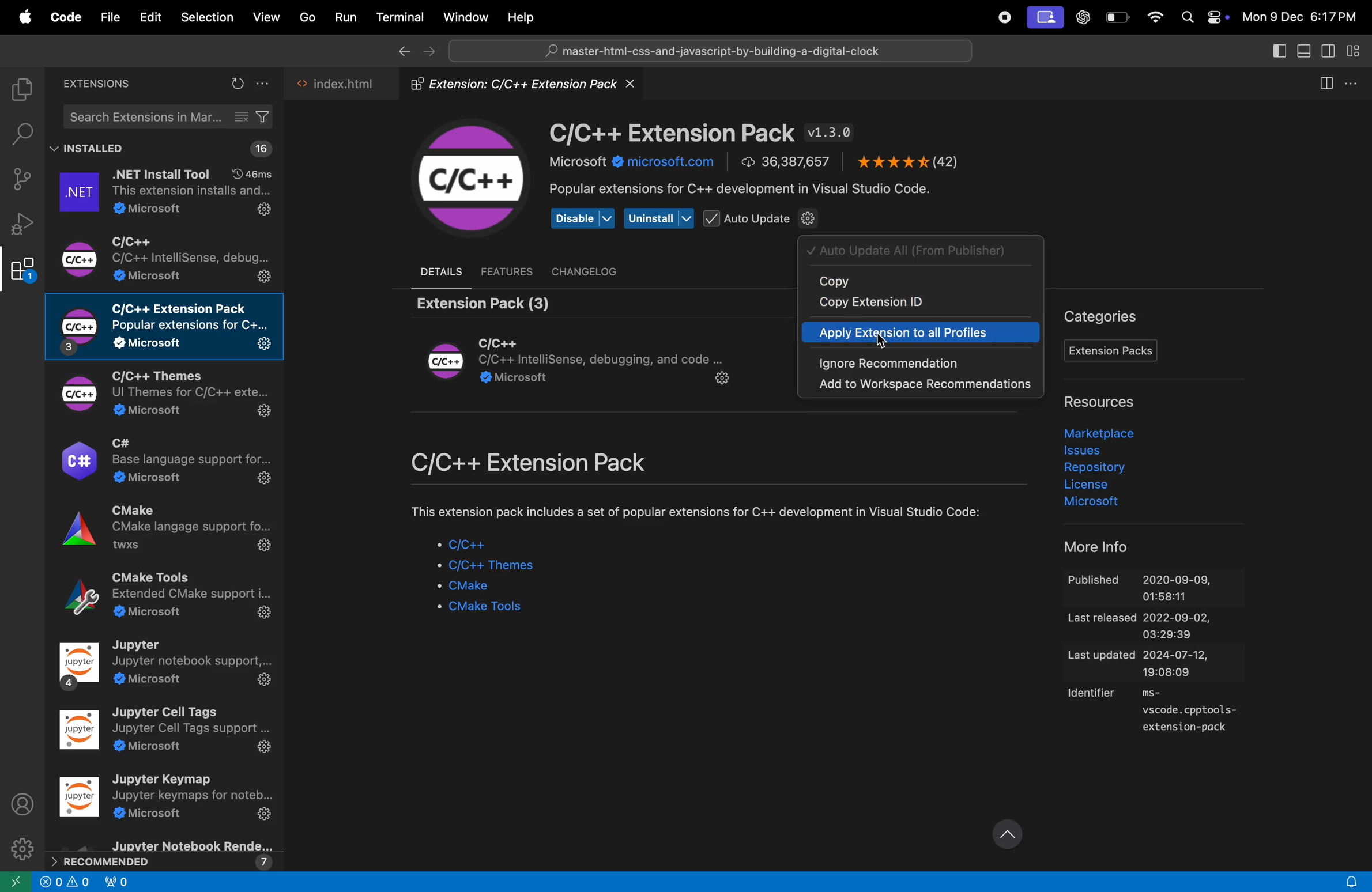  I want to click on profile, so click(23, 802).